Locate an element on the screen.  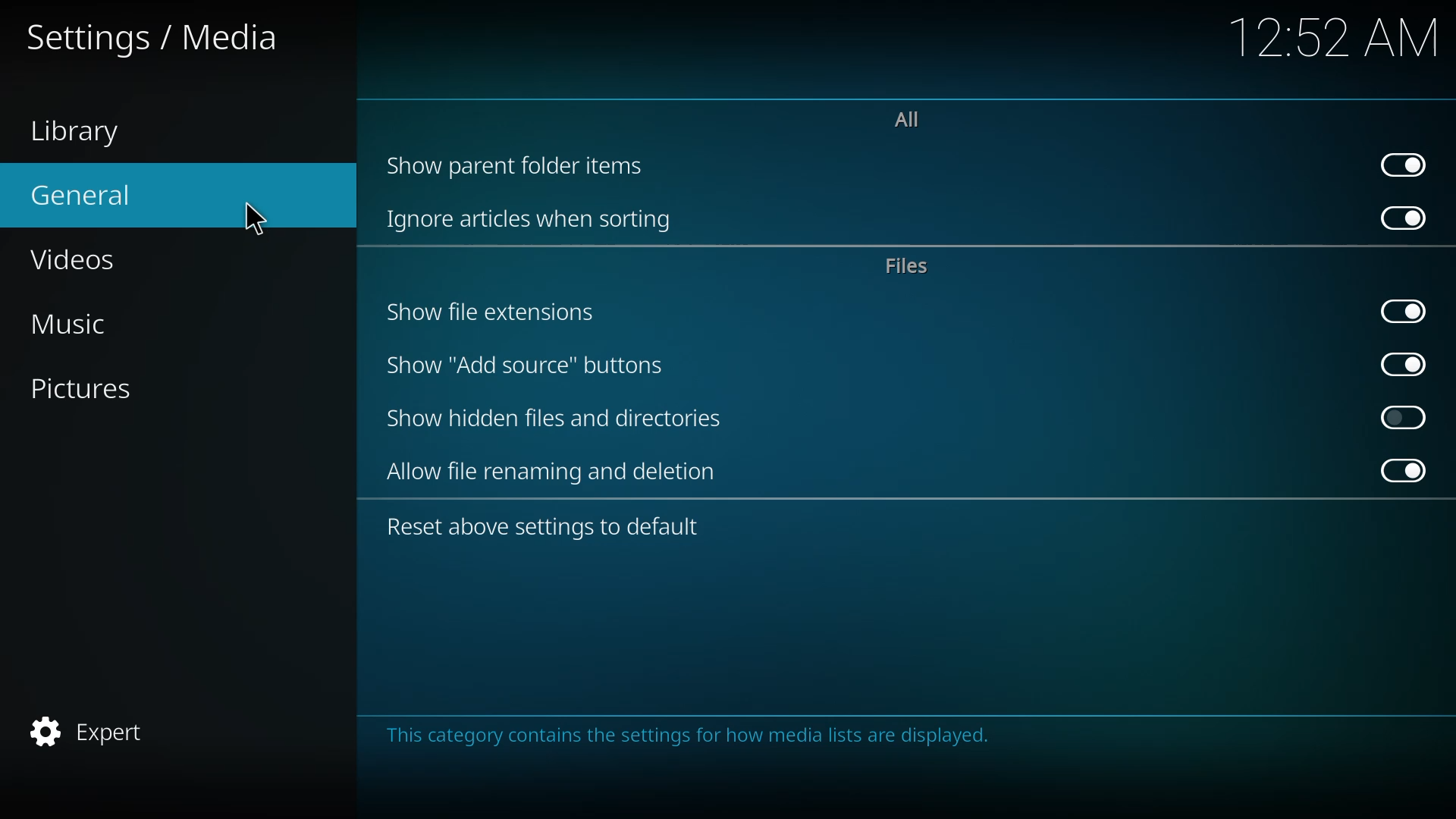
library is located at coordinates (83, 133).